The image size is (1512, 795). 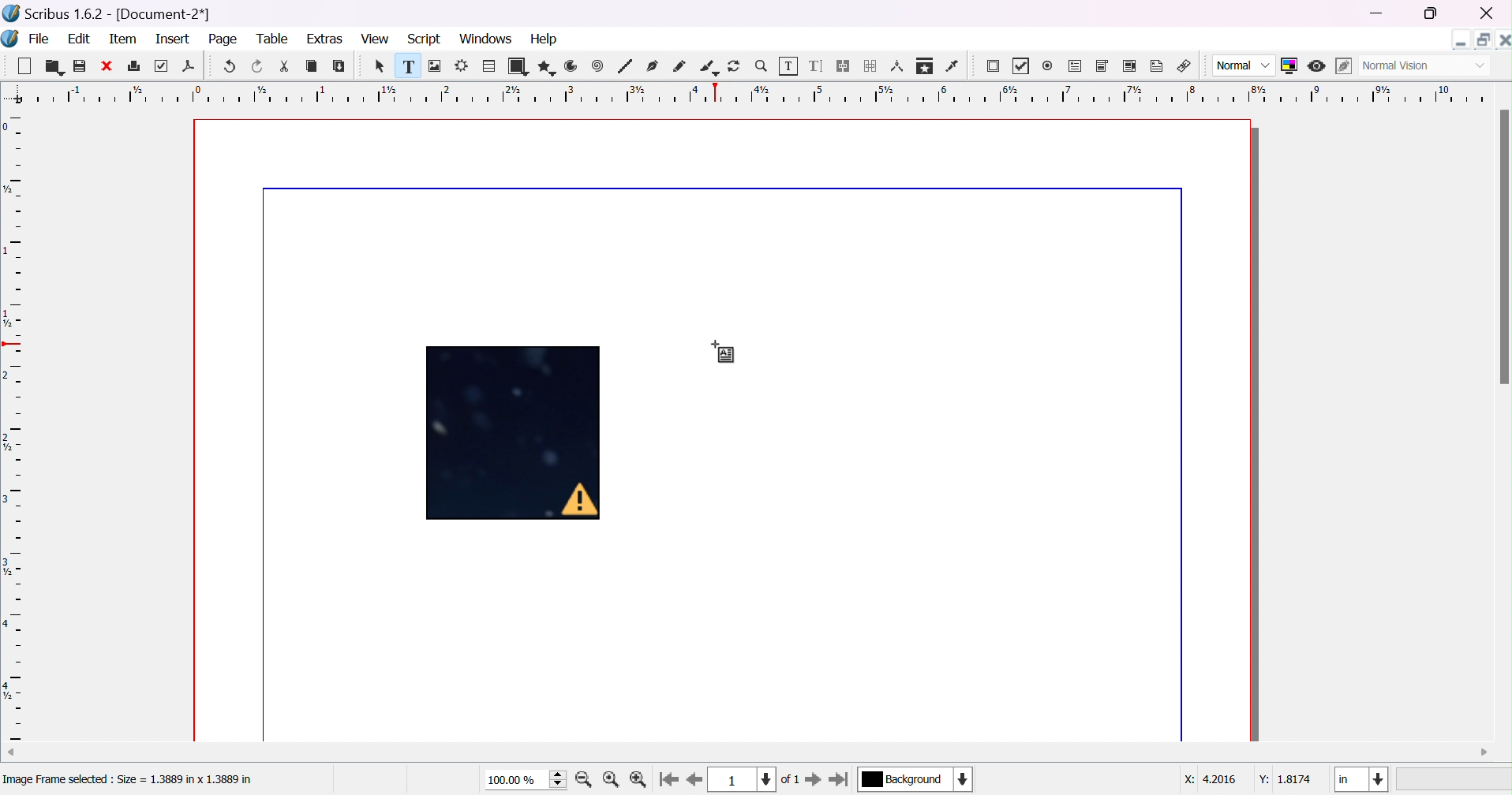 I want to click on bezier curve, so click(x=653, y=65).